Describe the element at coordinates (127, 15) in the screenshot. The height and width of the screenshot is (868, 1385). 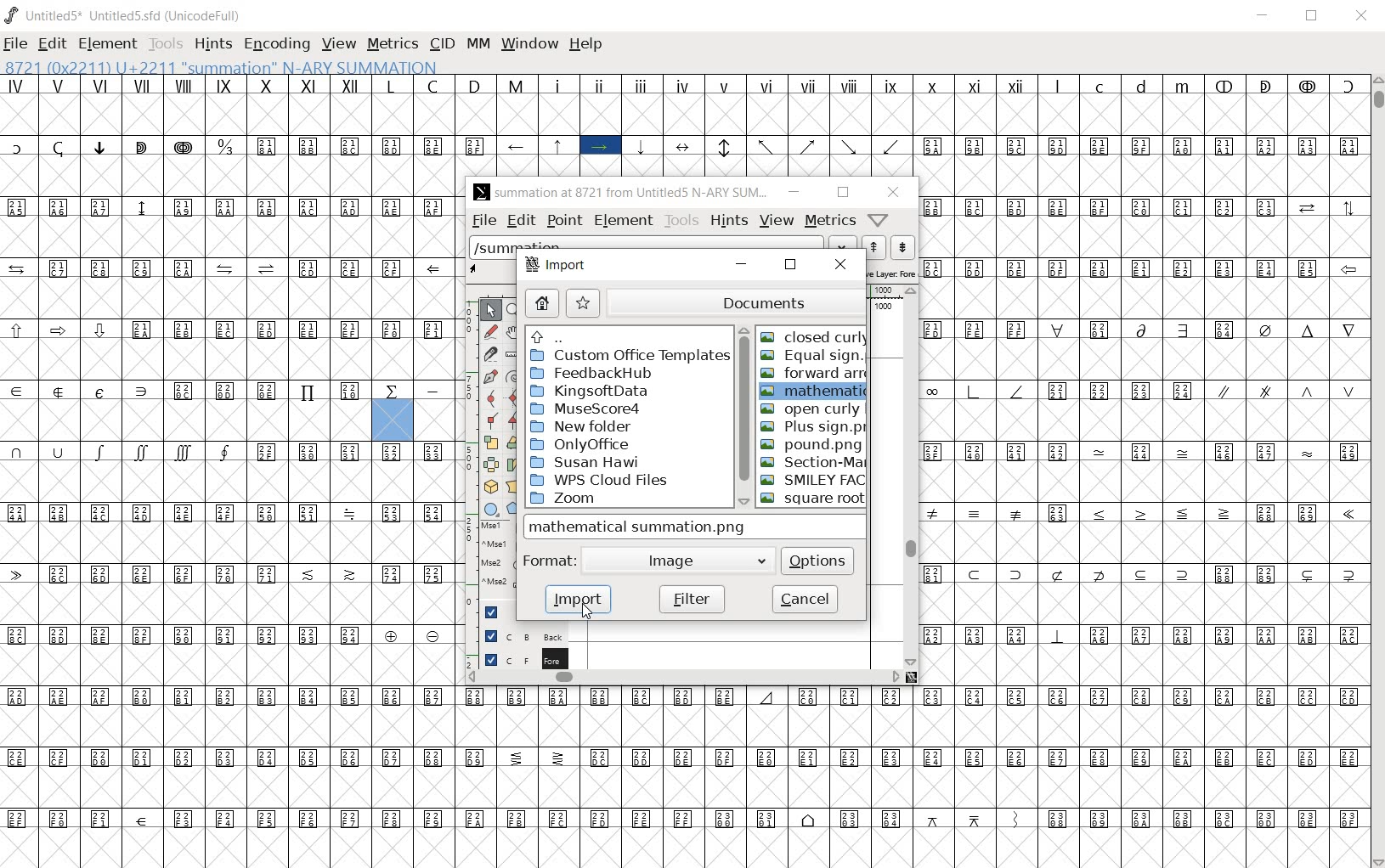
I see `Untitled5* Untitled5.sfd (UnicodeFull)` at that location.